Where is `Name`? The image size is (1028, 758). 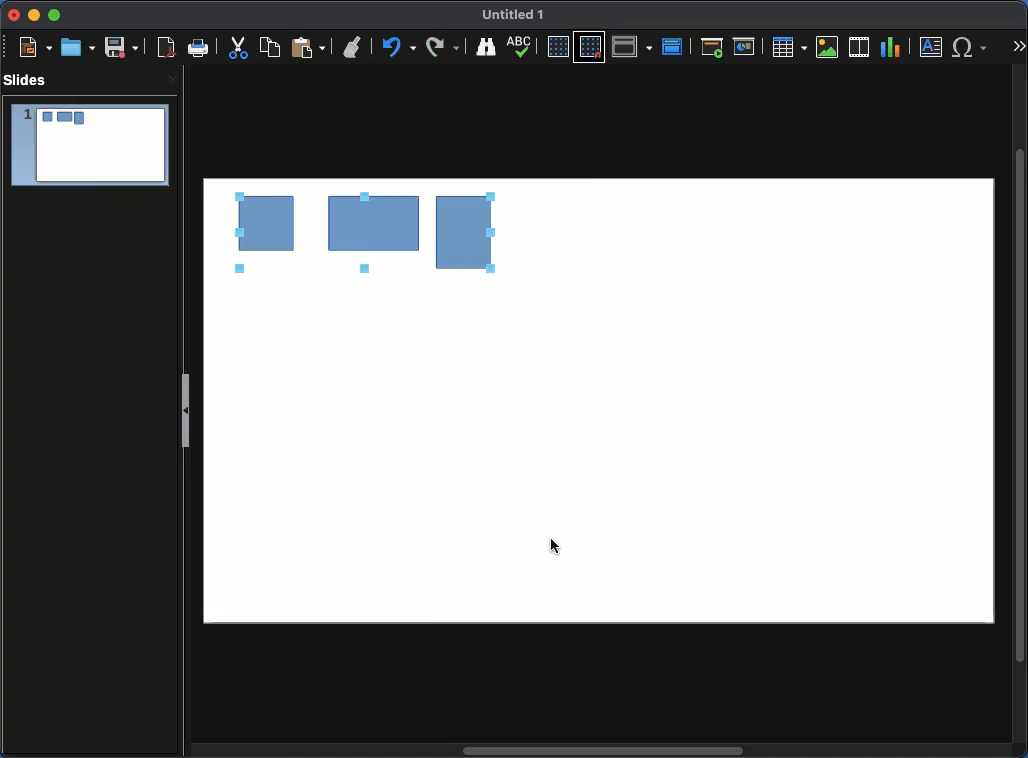
Name is located at coordinates (518, 16).